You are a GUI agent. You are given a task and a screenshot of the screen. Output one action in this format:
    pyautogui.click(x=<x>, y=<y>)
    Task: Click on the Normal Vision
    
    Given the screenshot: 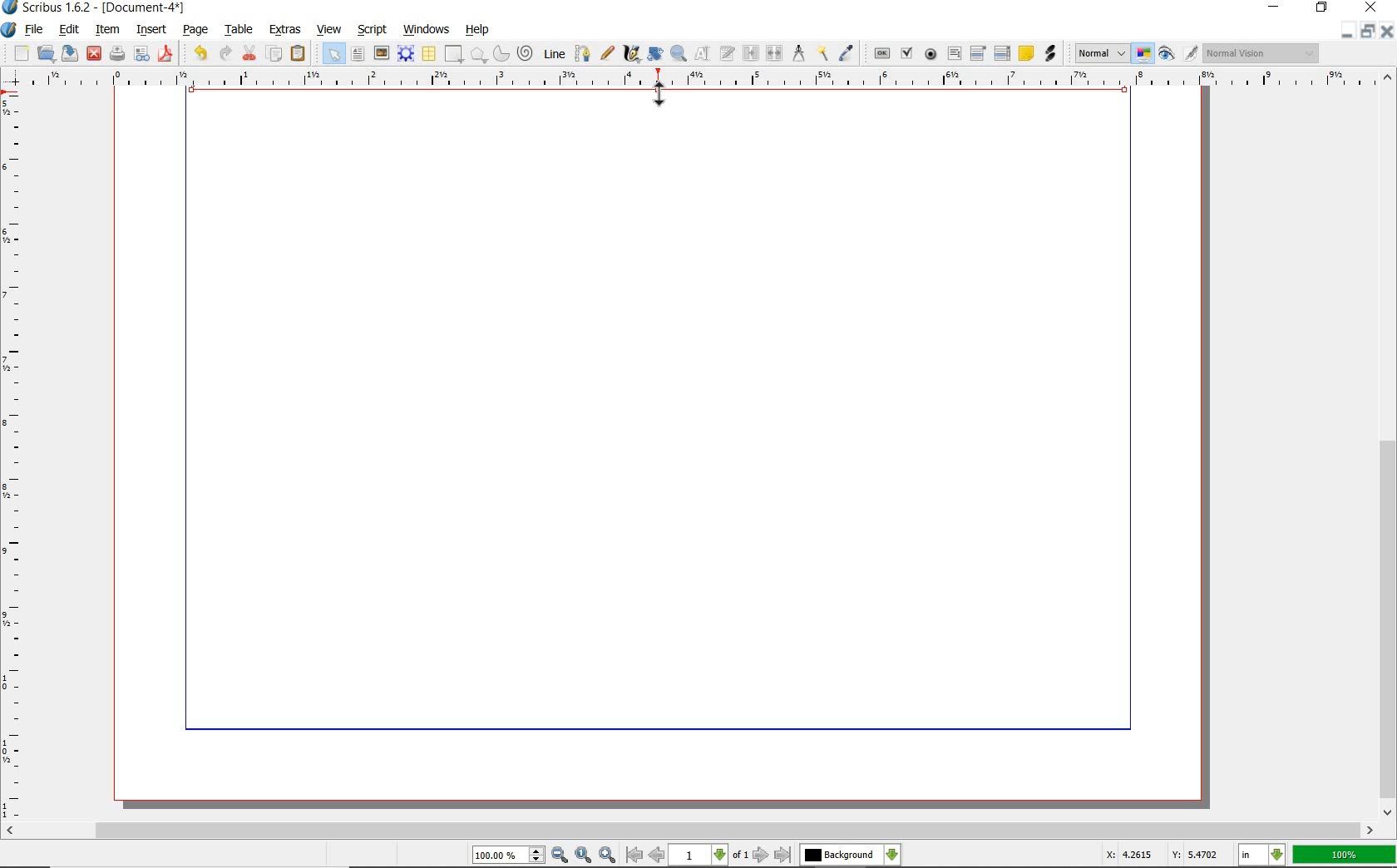 What is the action you would take?
    pyautogui.click(x=1261, y=52)
    